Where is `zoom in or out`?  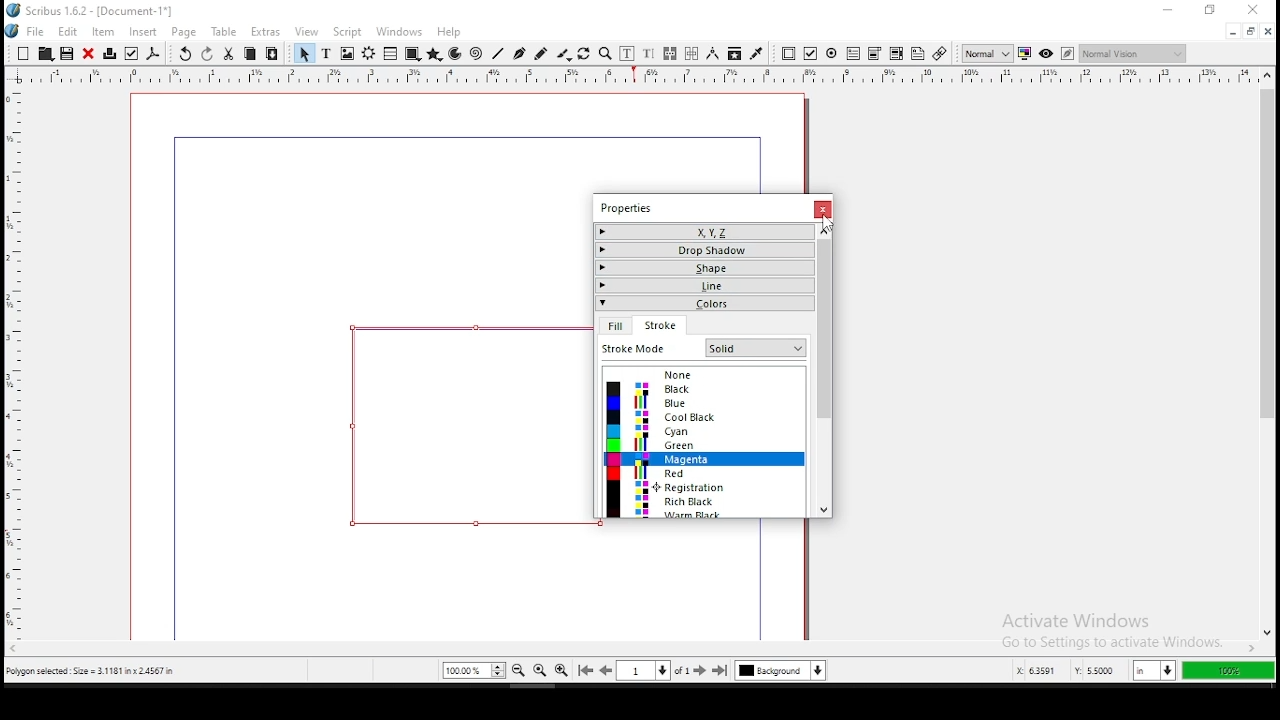 zoom in or out is located at coordinates (605, 54).